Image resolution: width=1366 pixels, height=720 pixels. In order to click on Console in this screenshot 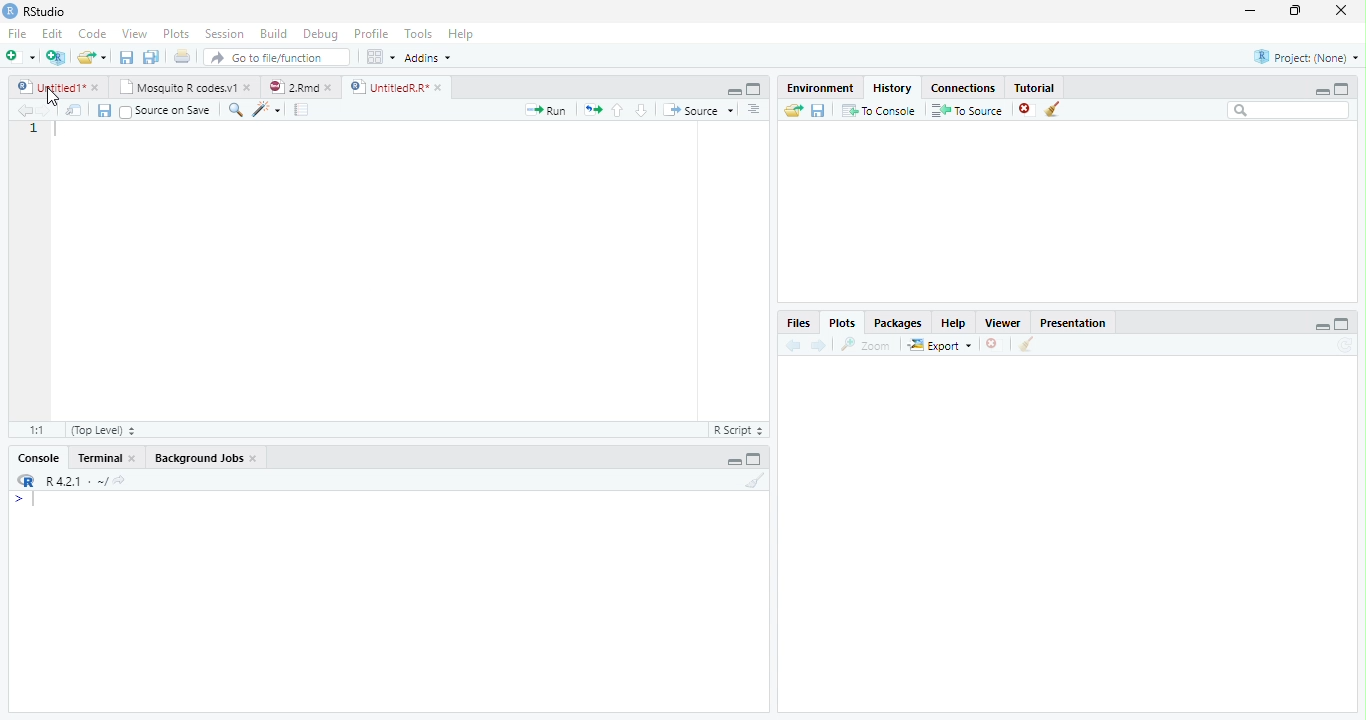, I will do `click(38, 459)`.